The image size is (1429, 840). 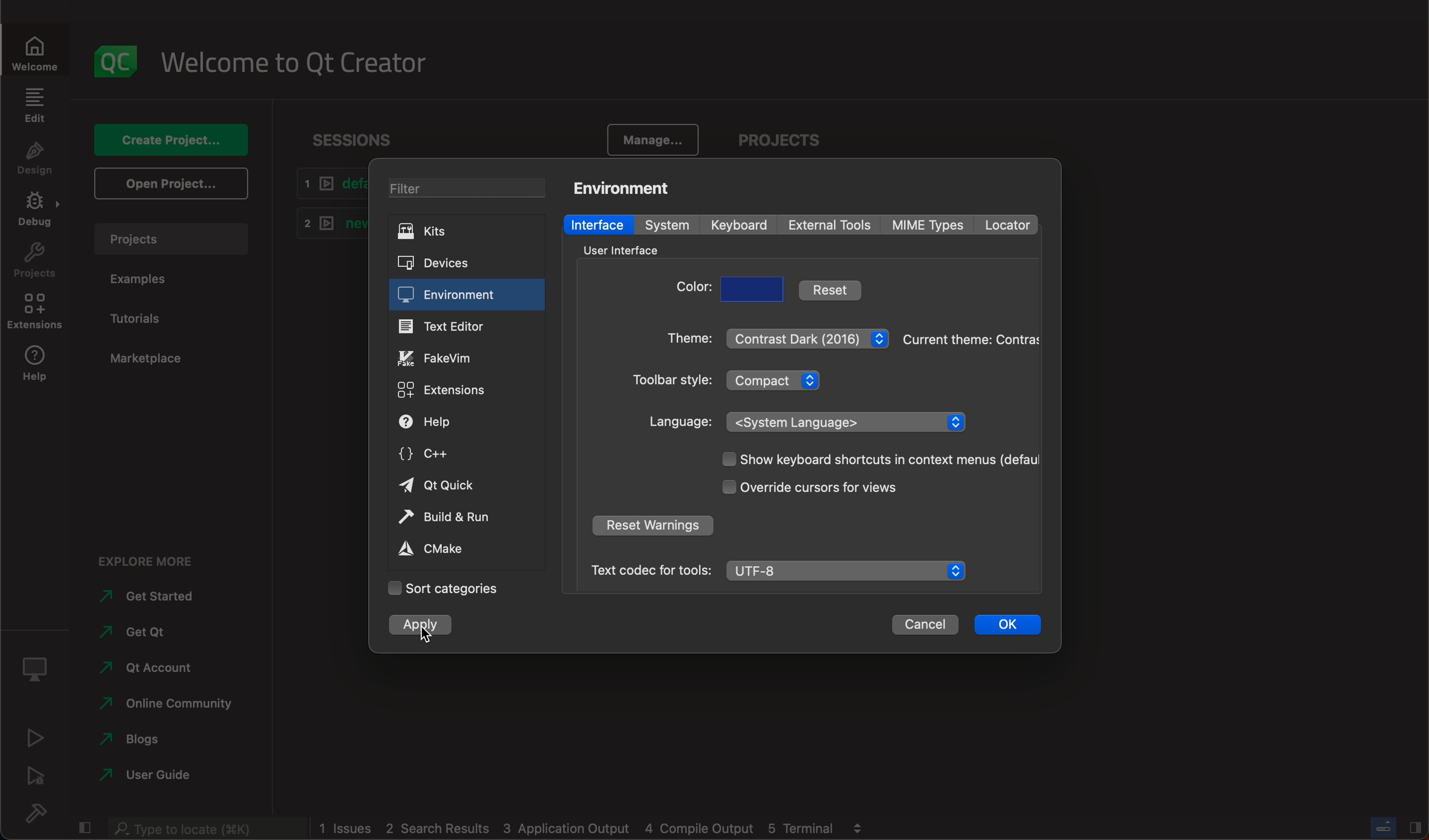 What do you see at coordinates (147, 774) in the screenshot?
I see `user ` at bounding box center [147, 774].